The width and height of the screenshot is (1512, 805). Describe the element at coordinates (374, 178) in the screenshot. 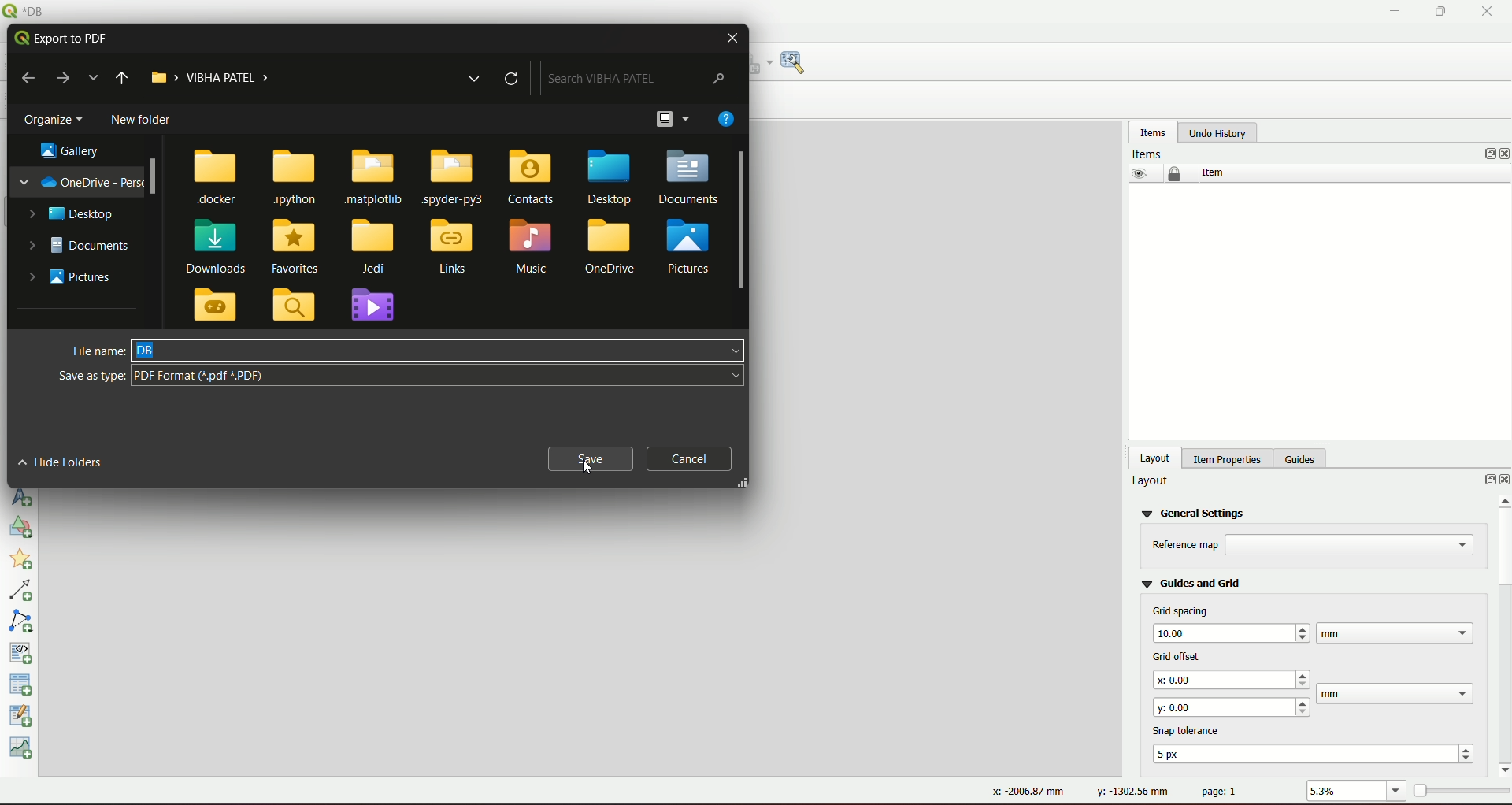

I see `.matplotlib` at that location.